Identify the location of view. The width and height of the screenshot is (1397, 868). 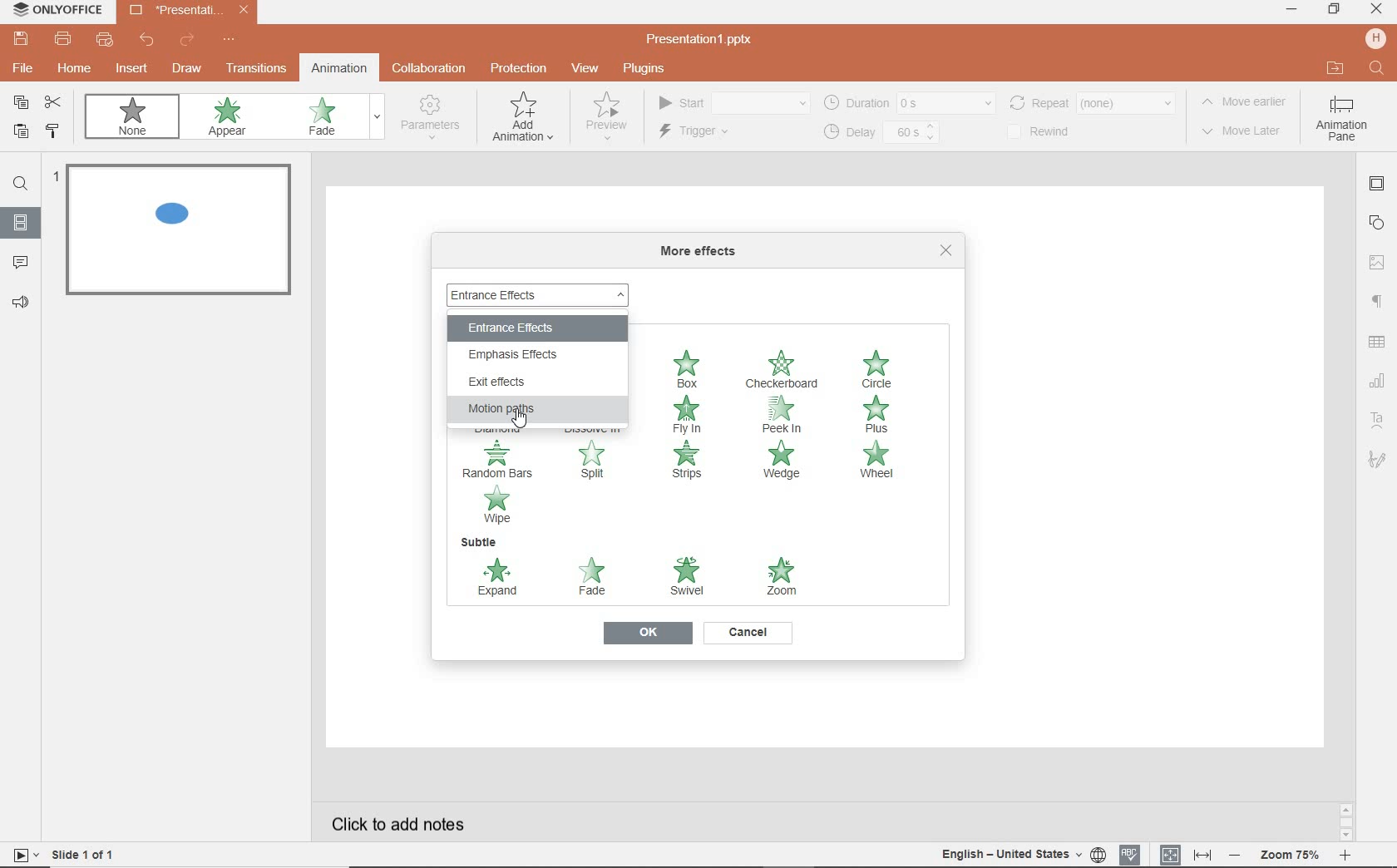
(588, 69).